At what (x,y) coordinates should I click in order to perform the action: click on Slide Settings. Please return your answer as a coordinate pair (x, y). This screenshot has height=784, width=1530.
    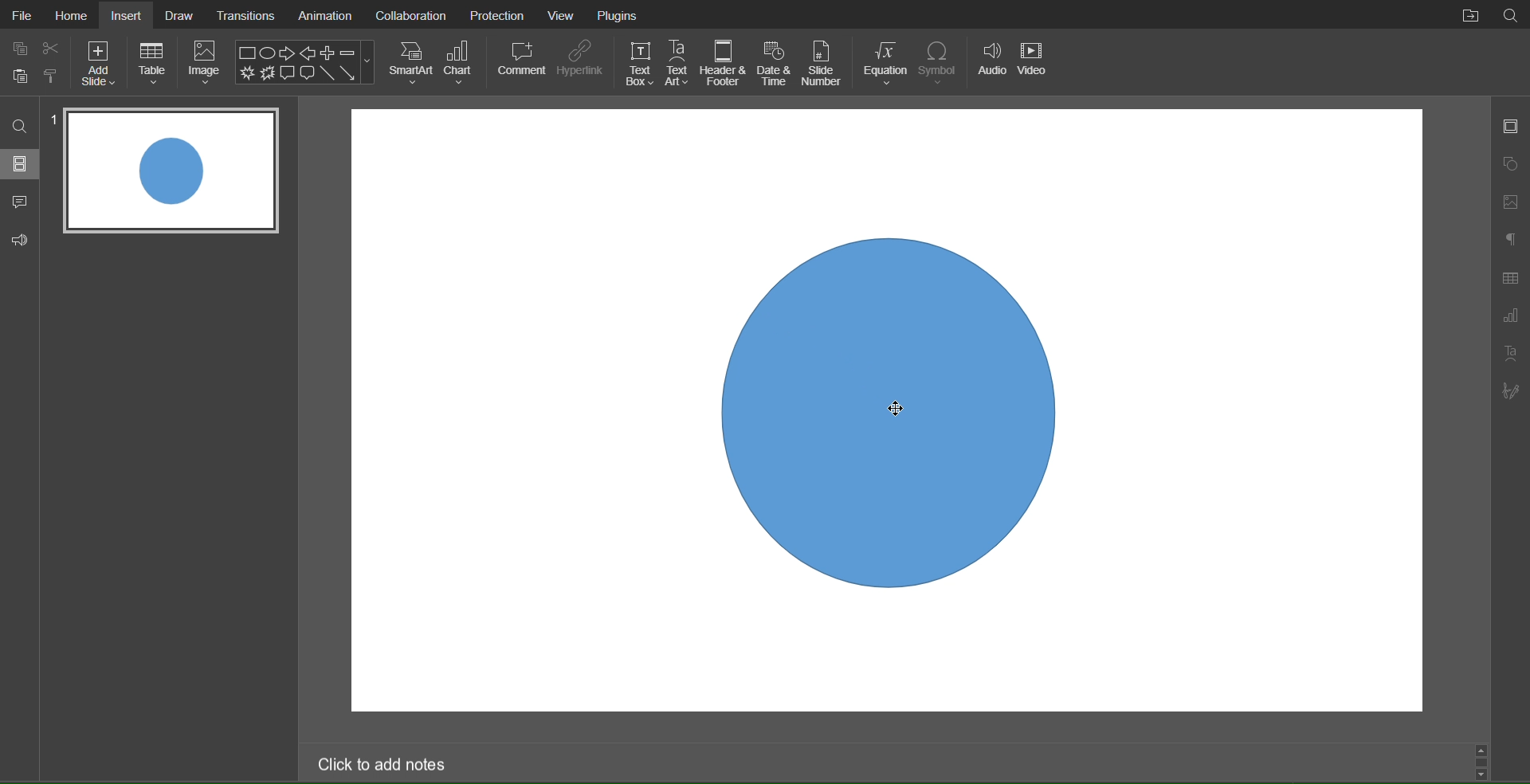
    Looking at the image, I should click on (1509, 129).